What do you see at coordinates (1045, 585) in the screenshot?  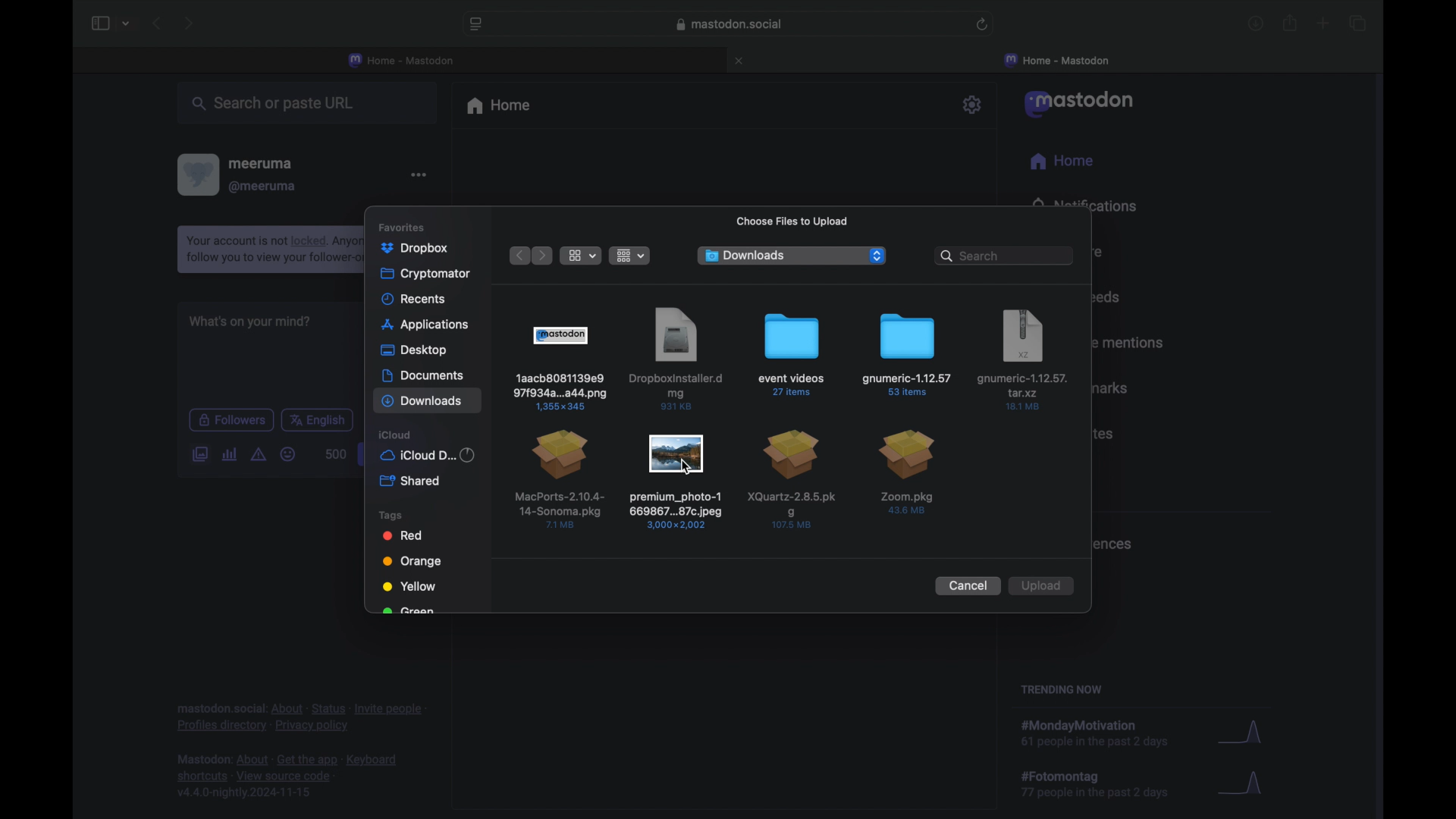 I see `upload` at bounding box center [1045, 585].